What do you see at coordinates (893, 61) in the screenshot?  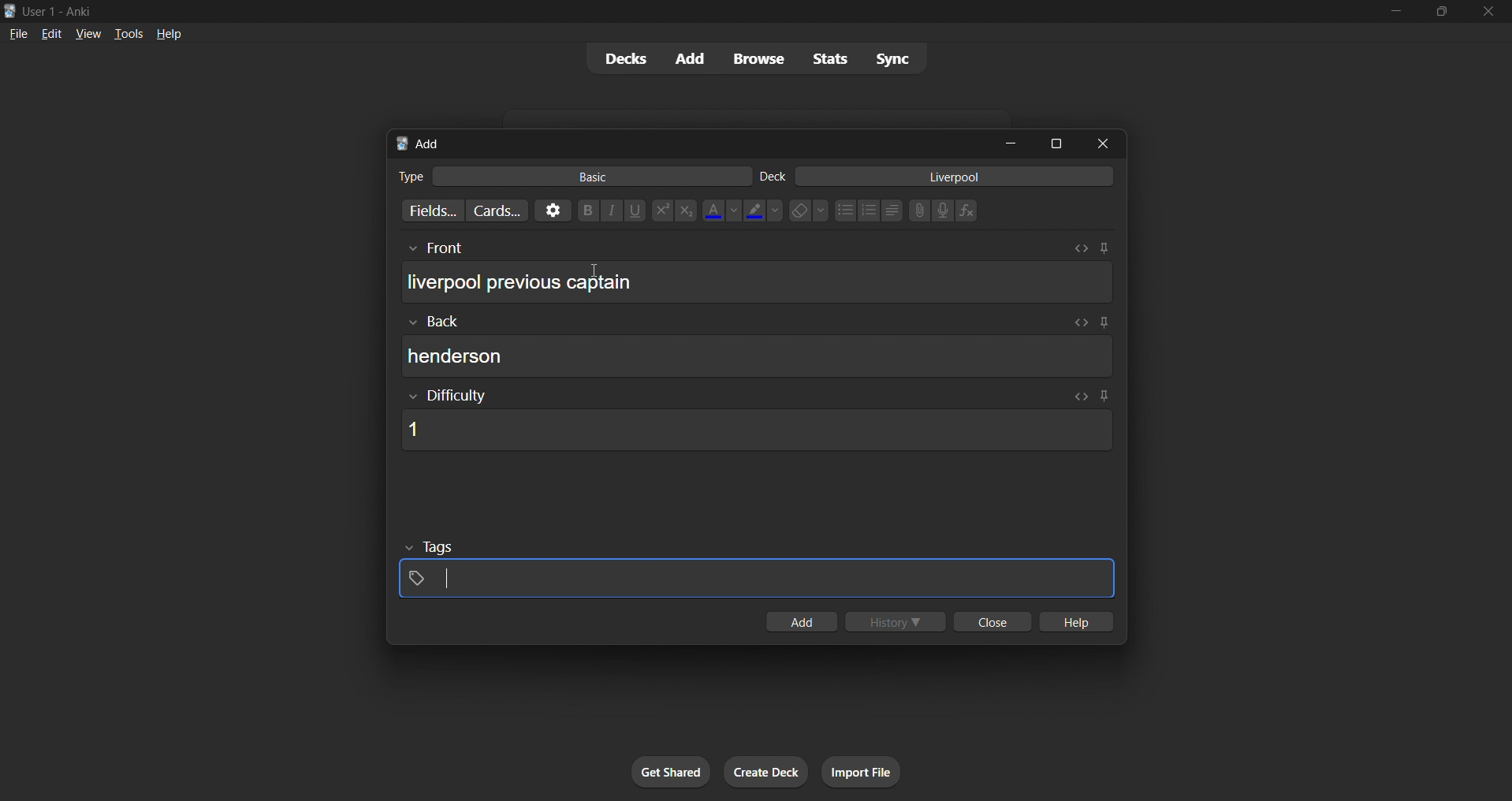 I see `sync` at bounding box center [893, 61].